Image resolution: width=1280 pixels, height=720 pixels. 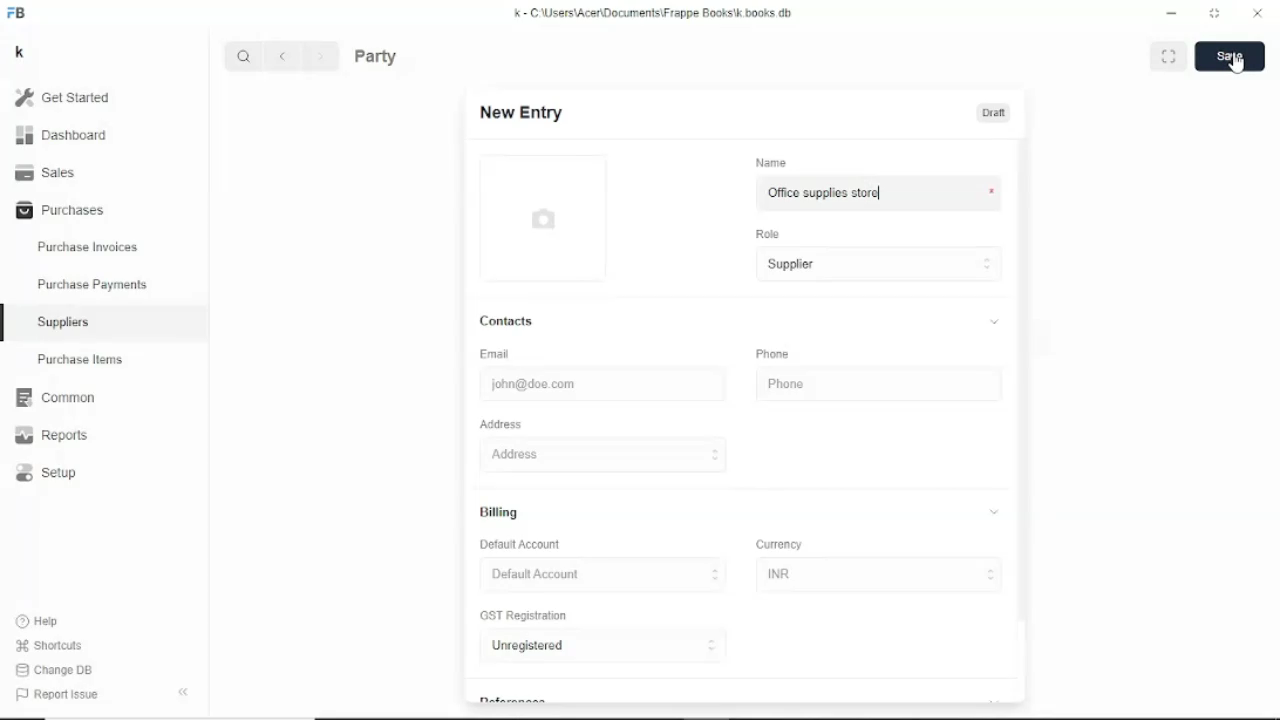 What do you see at coordinates (63, 97) in the screenshot?
I see `Get started` at bounding box center [63, 97].